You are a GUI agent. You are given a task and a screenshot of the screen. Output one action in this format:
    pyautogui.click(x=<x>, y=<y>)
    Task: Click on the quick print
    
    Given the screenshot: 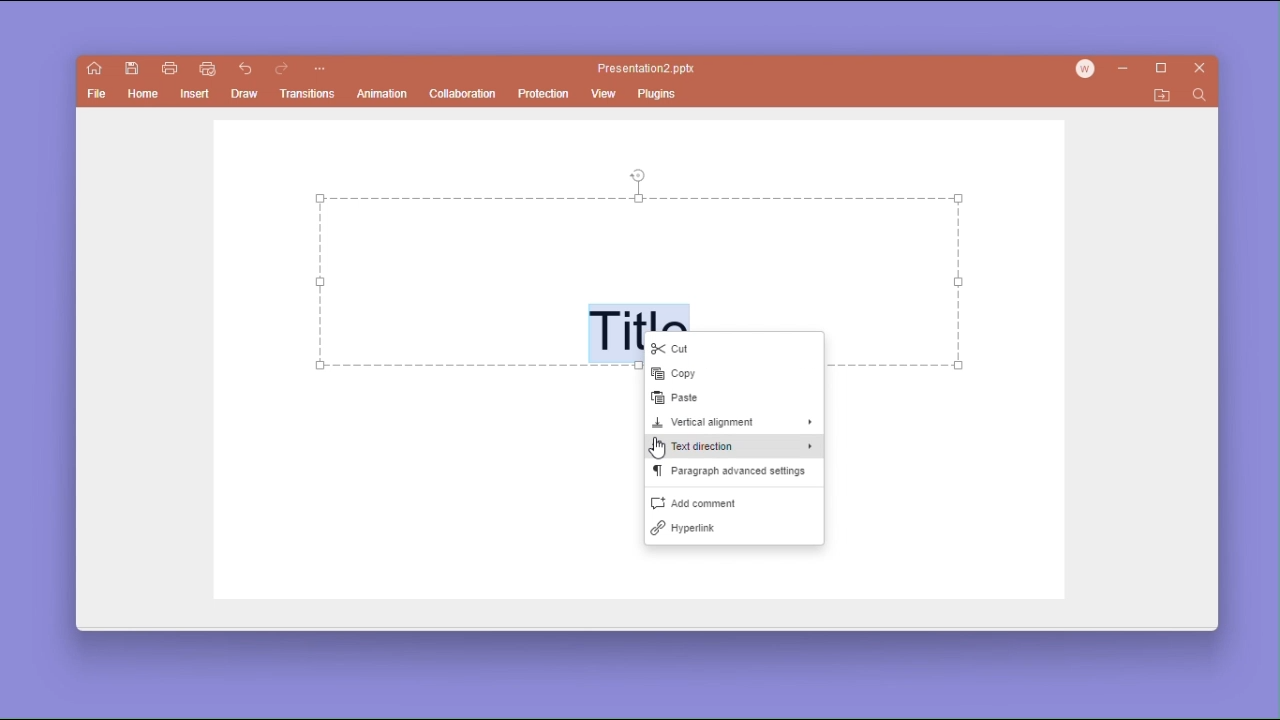 What is the action you would take?
    pyautogui.click(x=206, y=69)
    